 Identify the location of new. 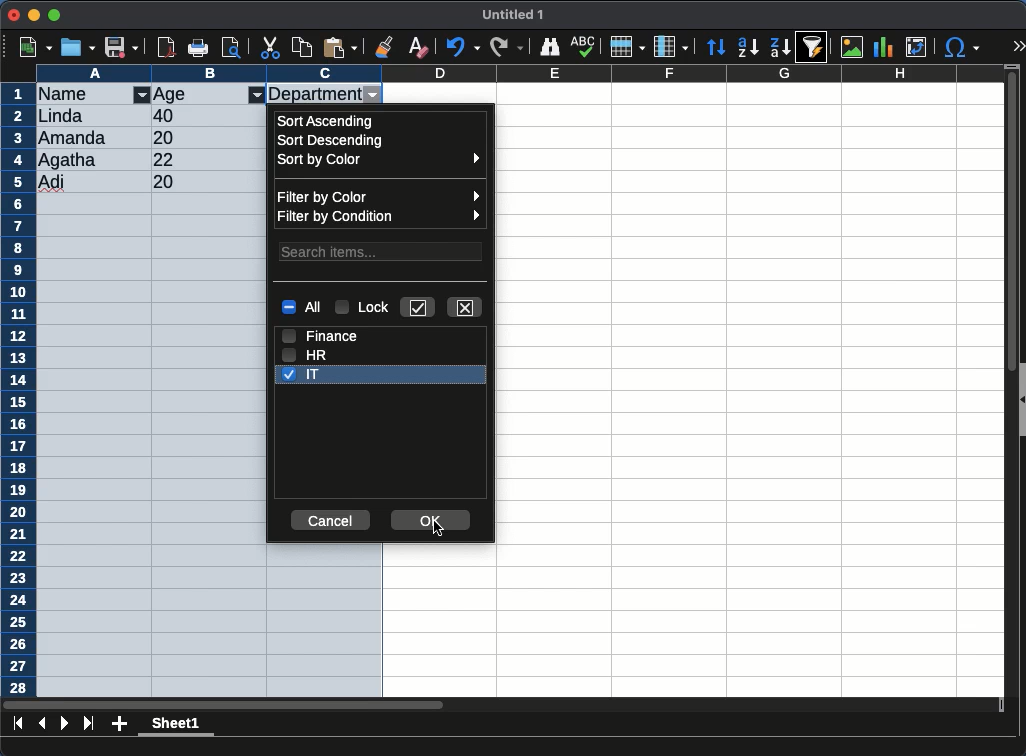
(34, 47).